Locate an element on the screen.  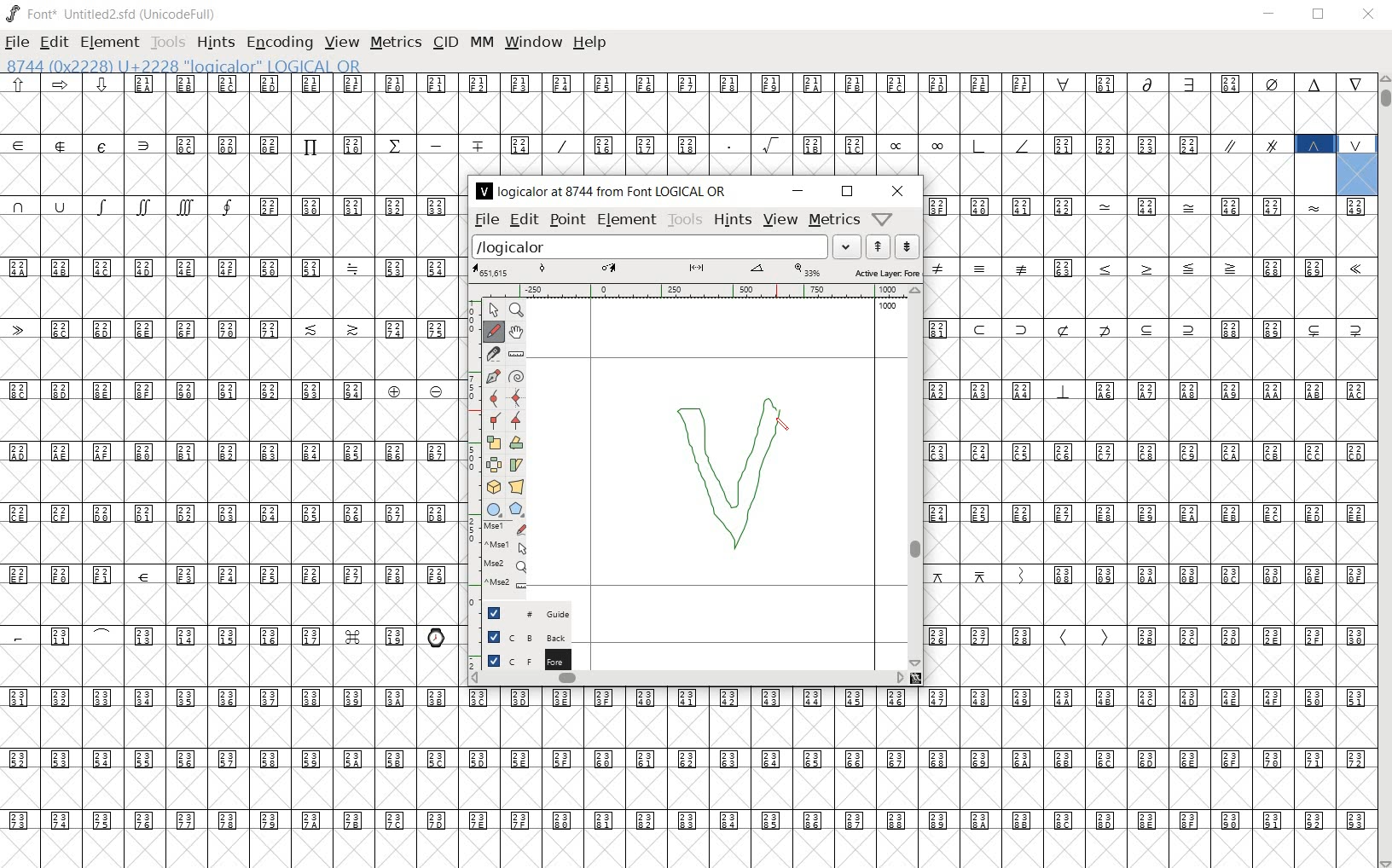
point is located at coordinates (566, 220).